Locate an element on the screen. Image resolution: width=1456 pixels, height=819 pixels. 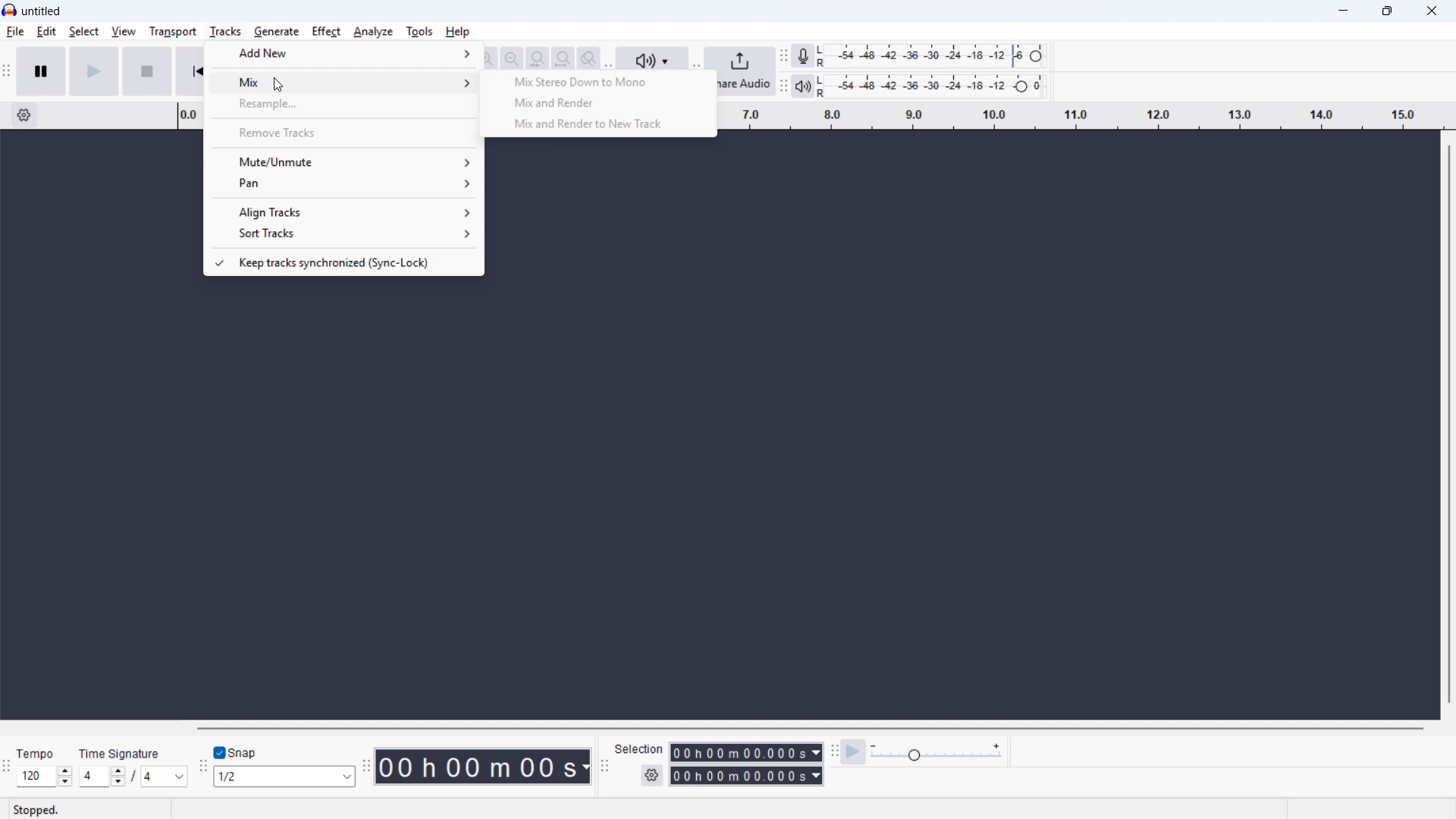
analyse  is located at coordinates (374, 31).